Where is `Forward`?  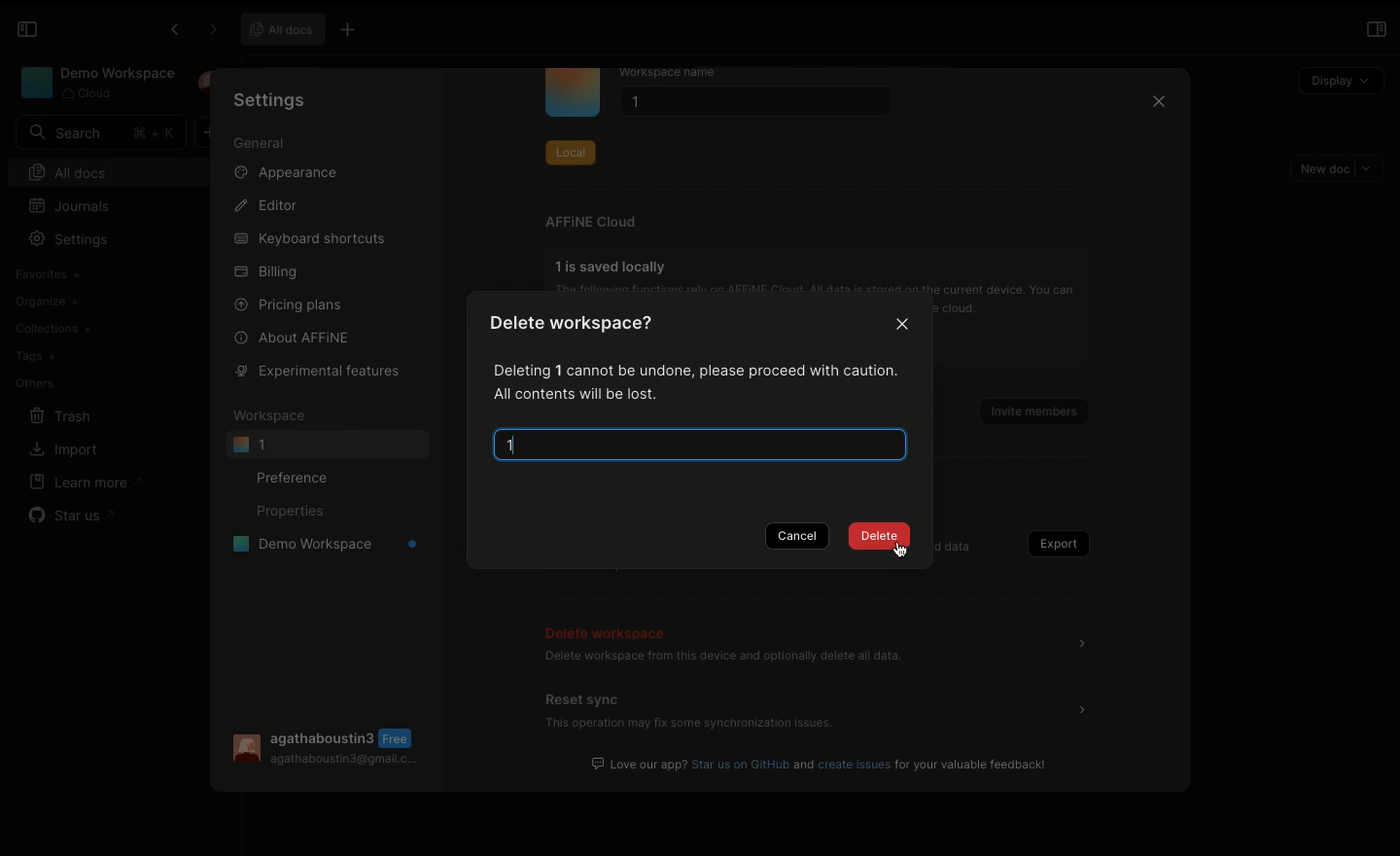 Forward is located at coordinates (209, 30).